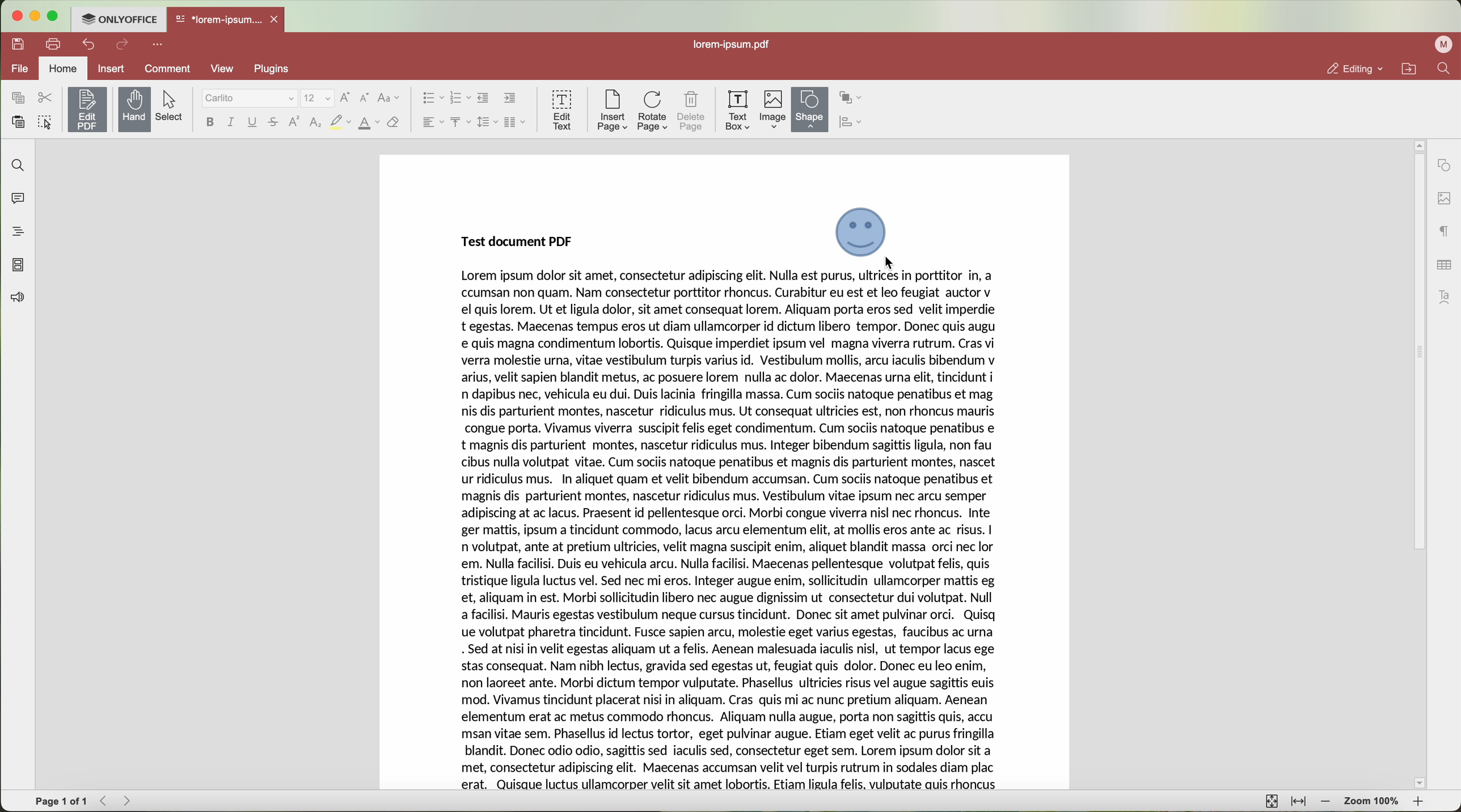  What do you see at coordinates (364, 98) in the screenshot?
I see `decrement font size` at bounding box center [364, 98].